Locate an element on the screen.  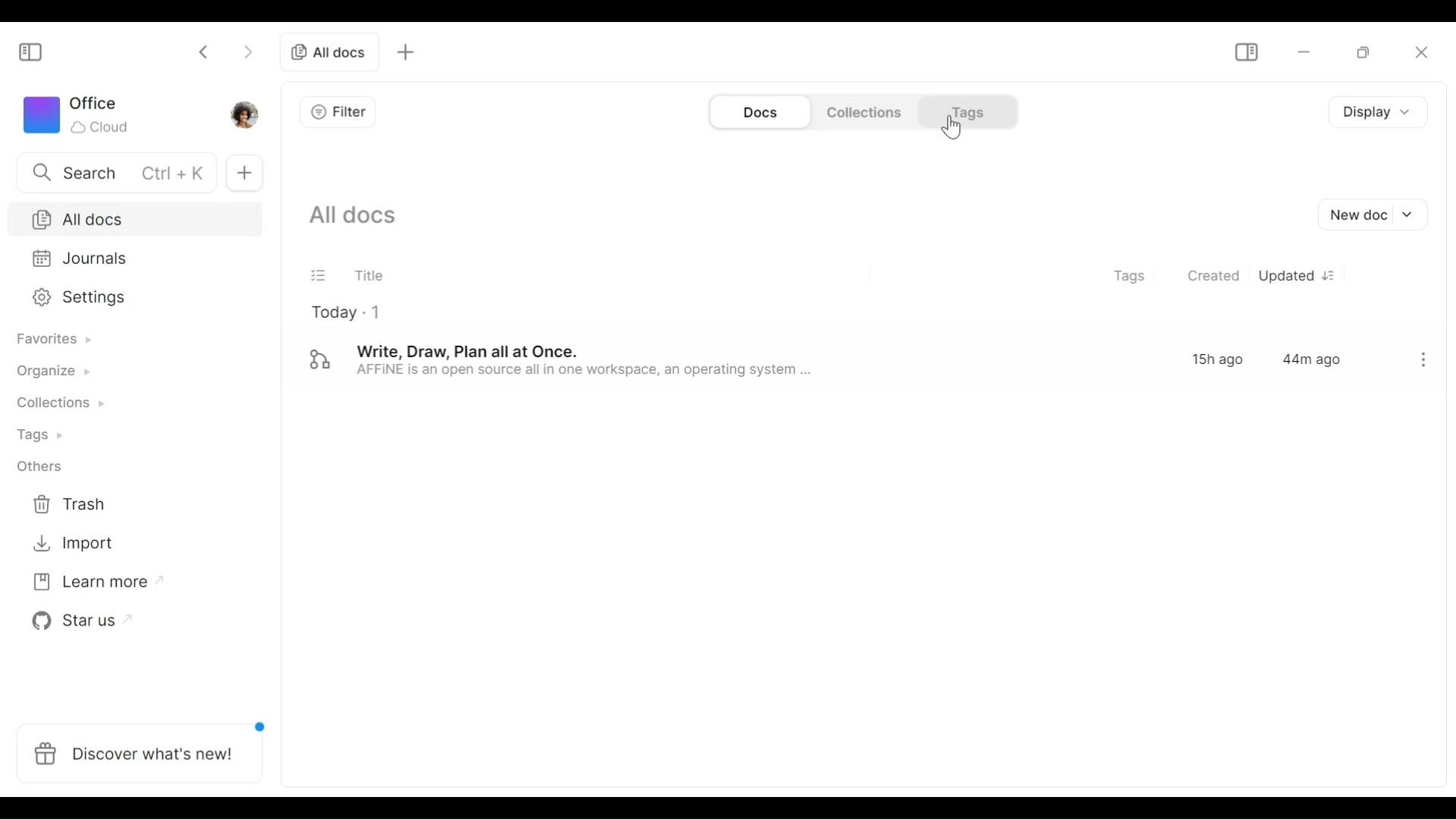
Show/Hide Sidebar is located at coordinates (1246, 53).